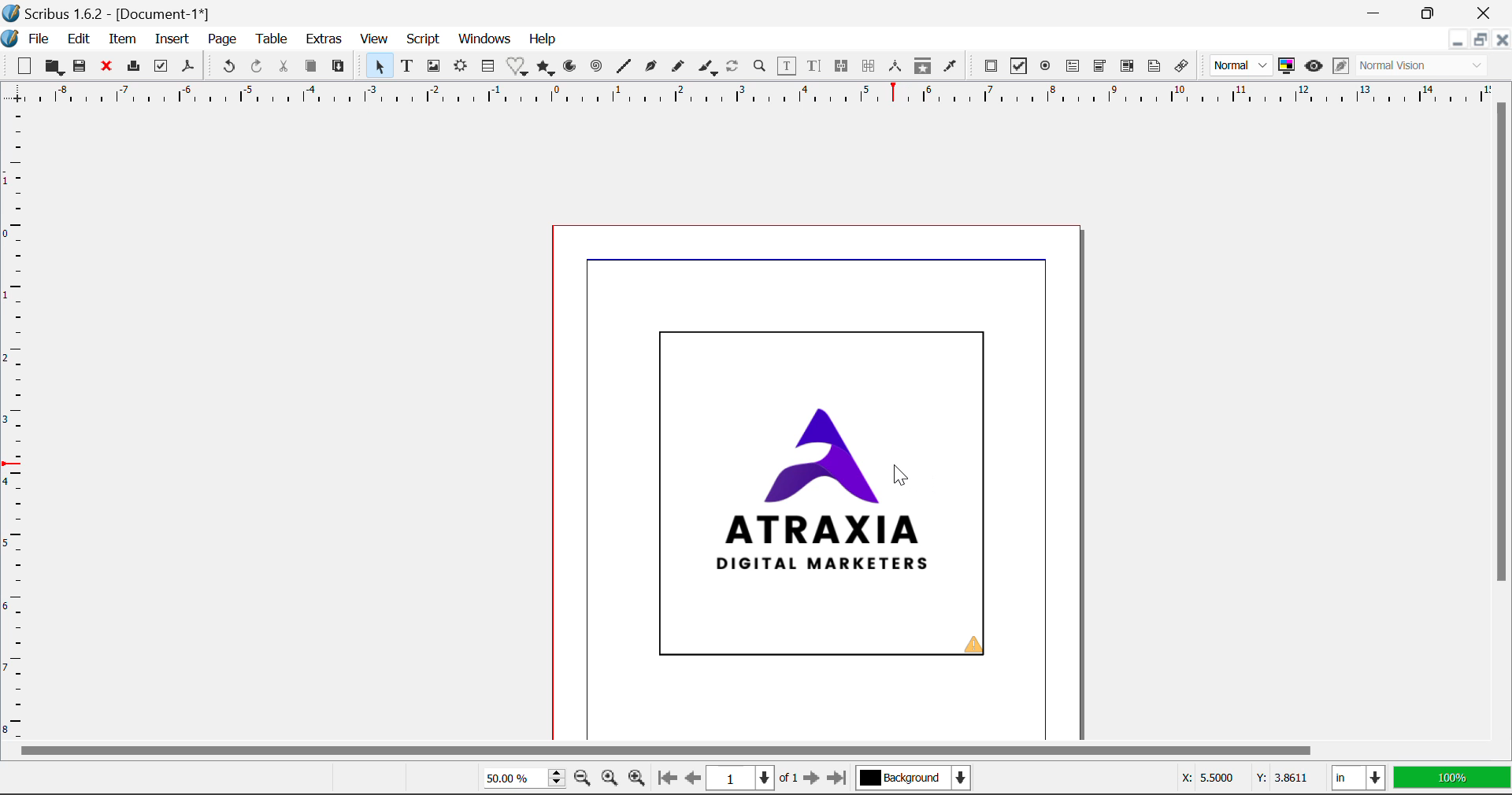  I want to click on Pdf Text Field, so click(1074, 68).